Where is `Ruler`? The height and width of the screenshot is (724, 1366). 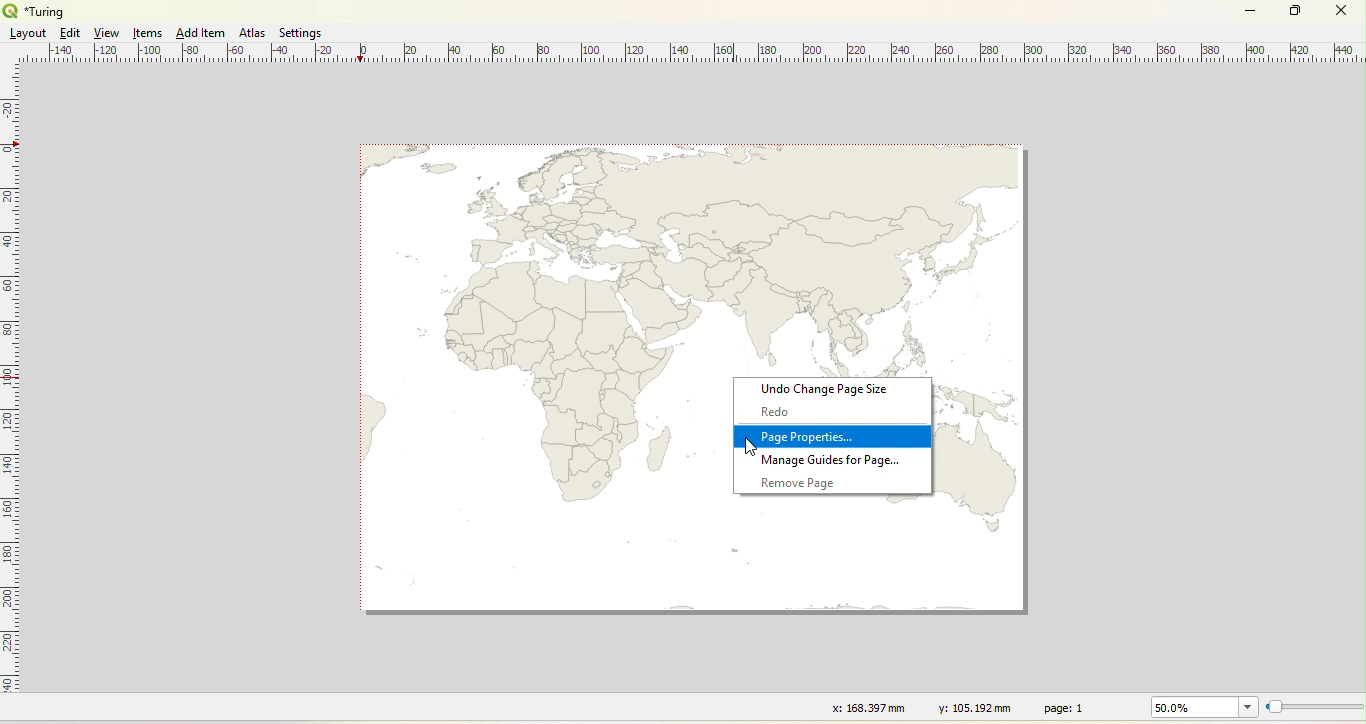 Ruler is located at coordinates (11, 391).